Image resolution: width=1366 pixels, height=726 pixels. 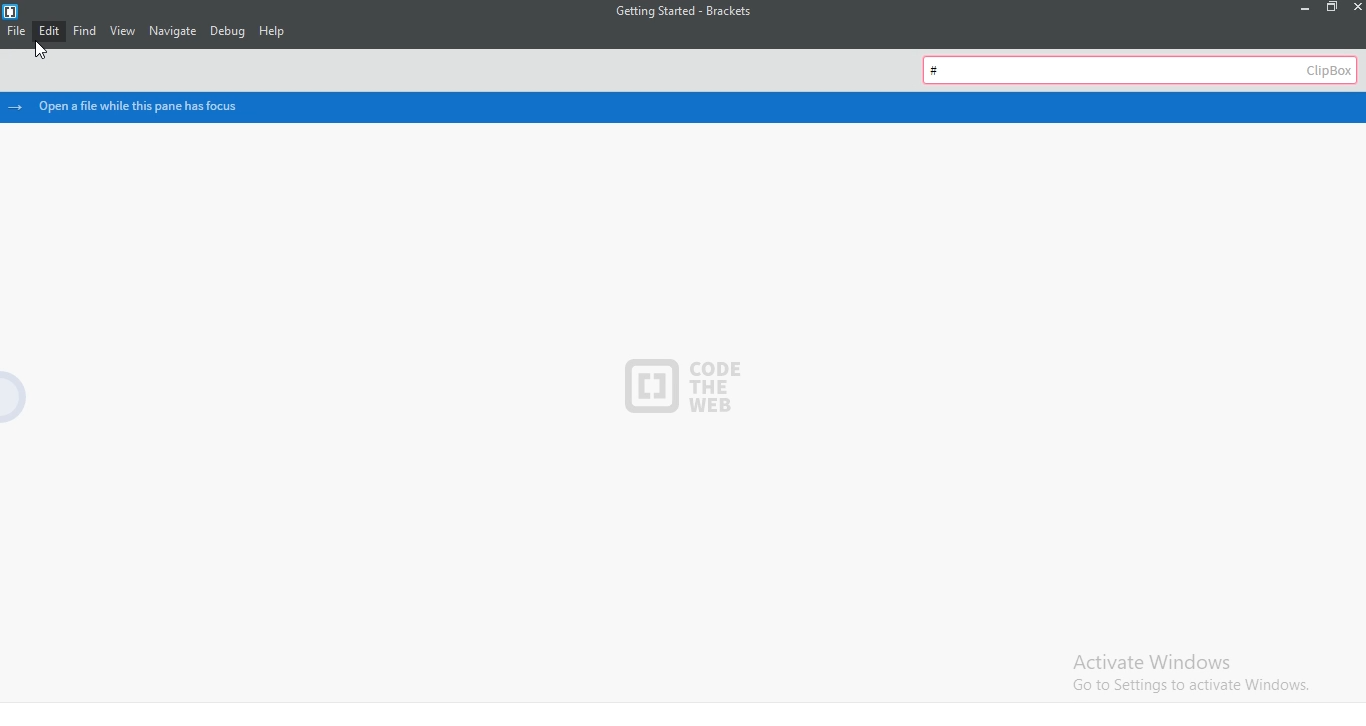 I want to click on Activate Windows. Go to settings to activate windows., so click(x=1196, y=674).